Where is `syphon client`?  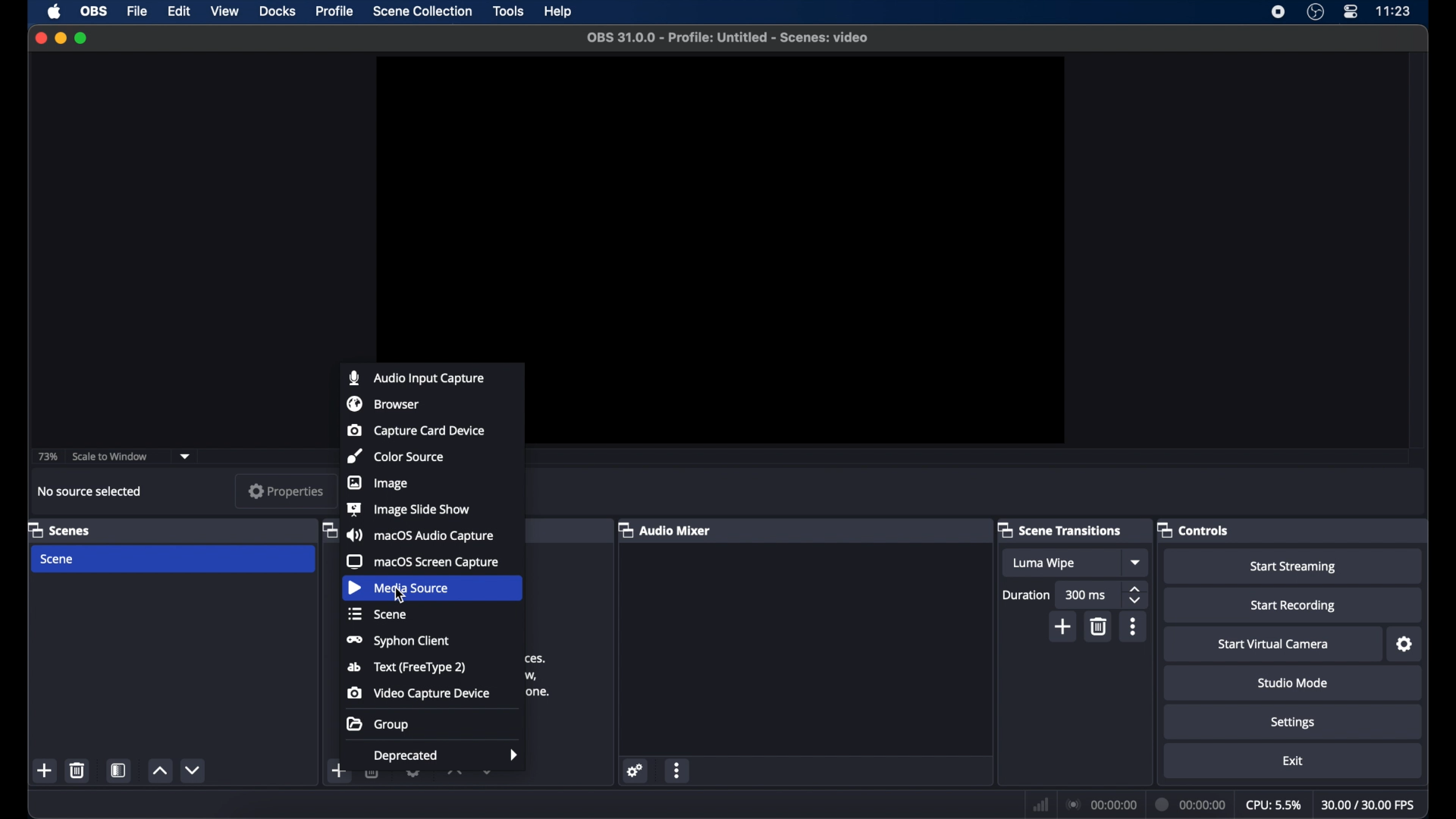 syphon client is located at coordinates (400, 641).